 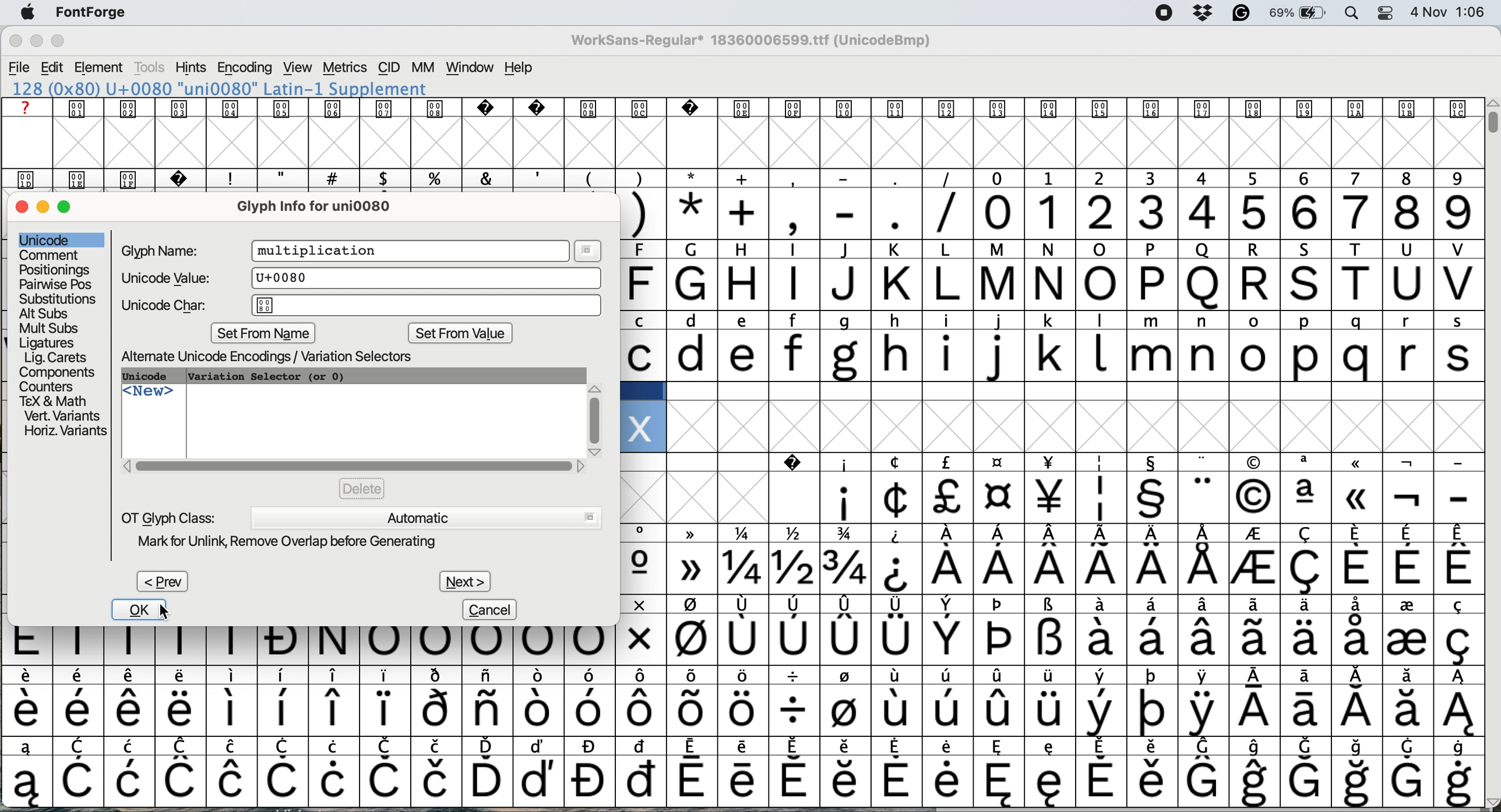 I want to click on unicode value, so click(x=357, y=278).